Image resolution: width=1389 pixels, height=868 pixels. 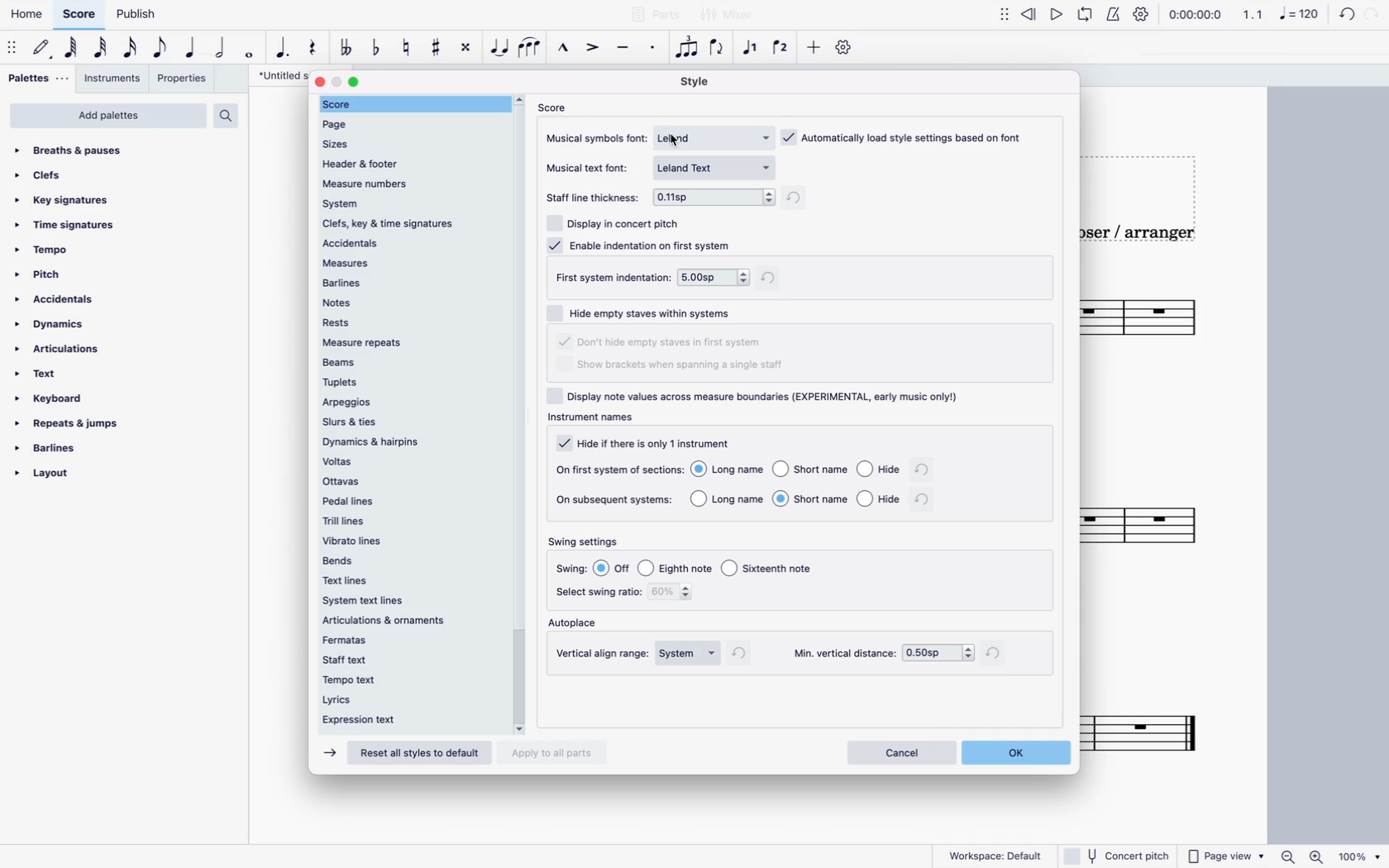 I want to click on score, so click(x=410, y=103).